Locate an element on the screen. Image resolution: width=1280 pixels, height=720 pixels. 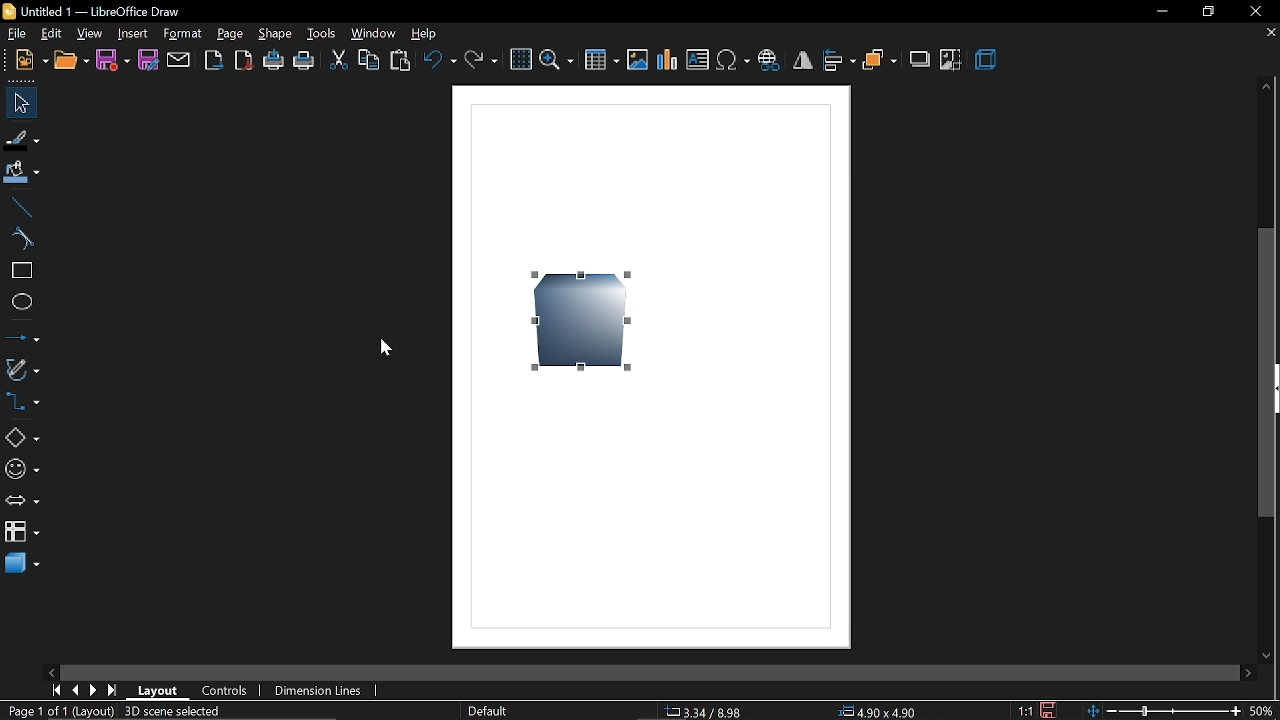
symbol shapes is located at coordinates (22, 469).